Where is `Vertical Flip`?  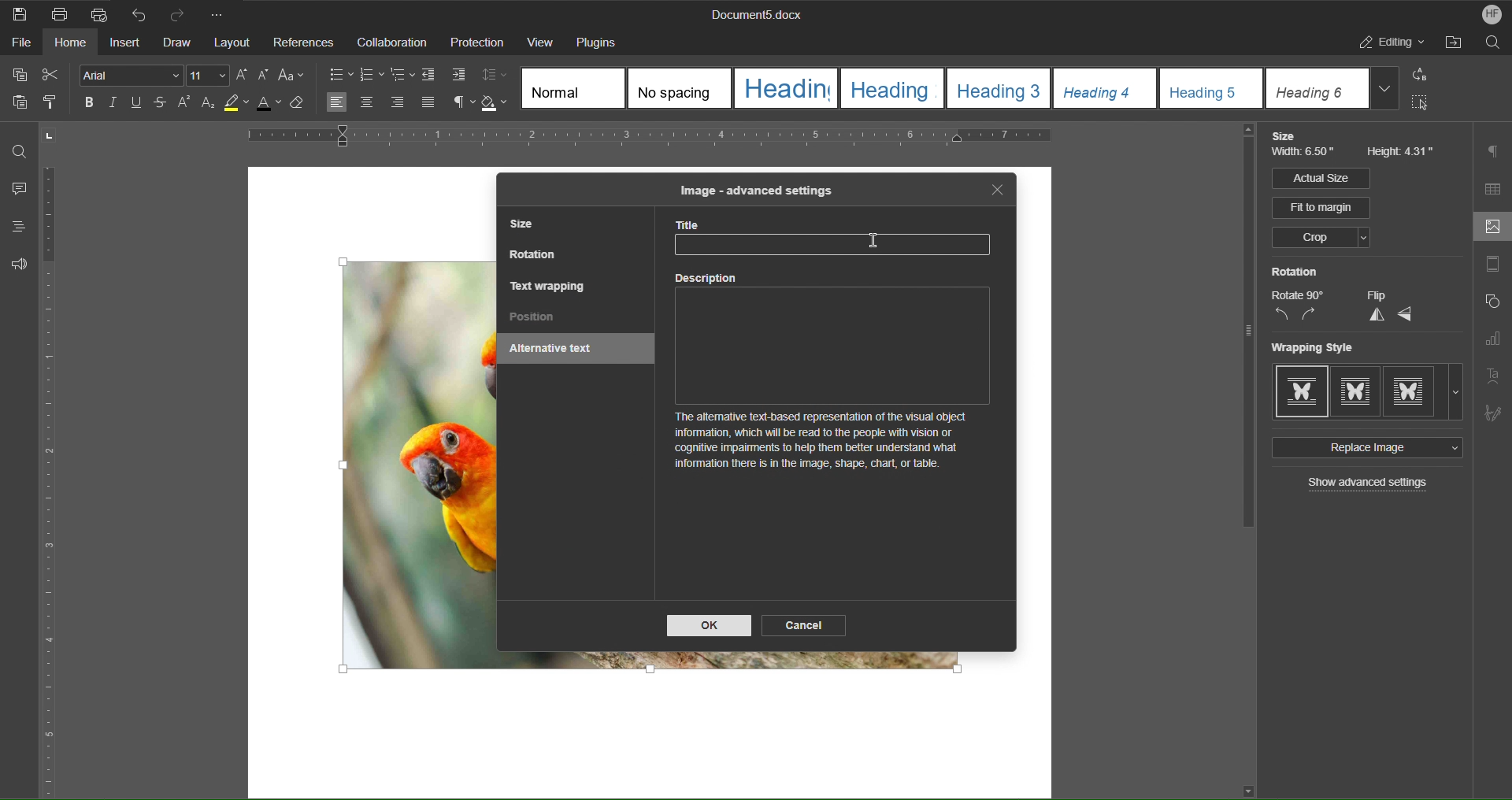 Vertical Flip is located at coordinates (1374, 315).